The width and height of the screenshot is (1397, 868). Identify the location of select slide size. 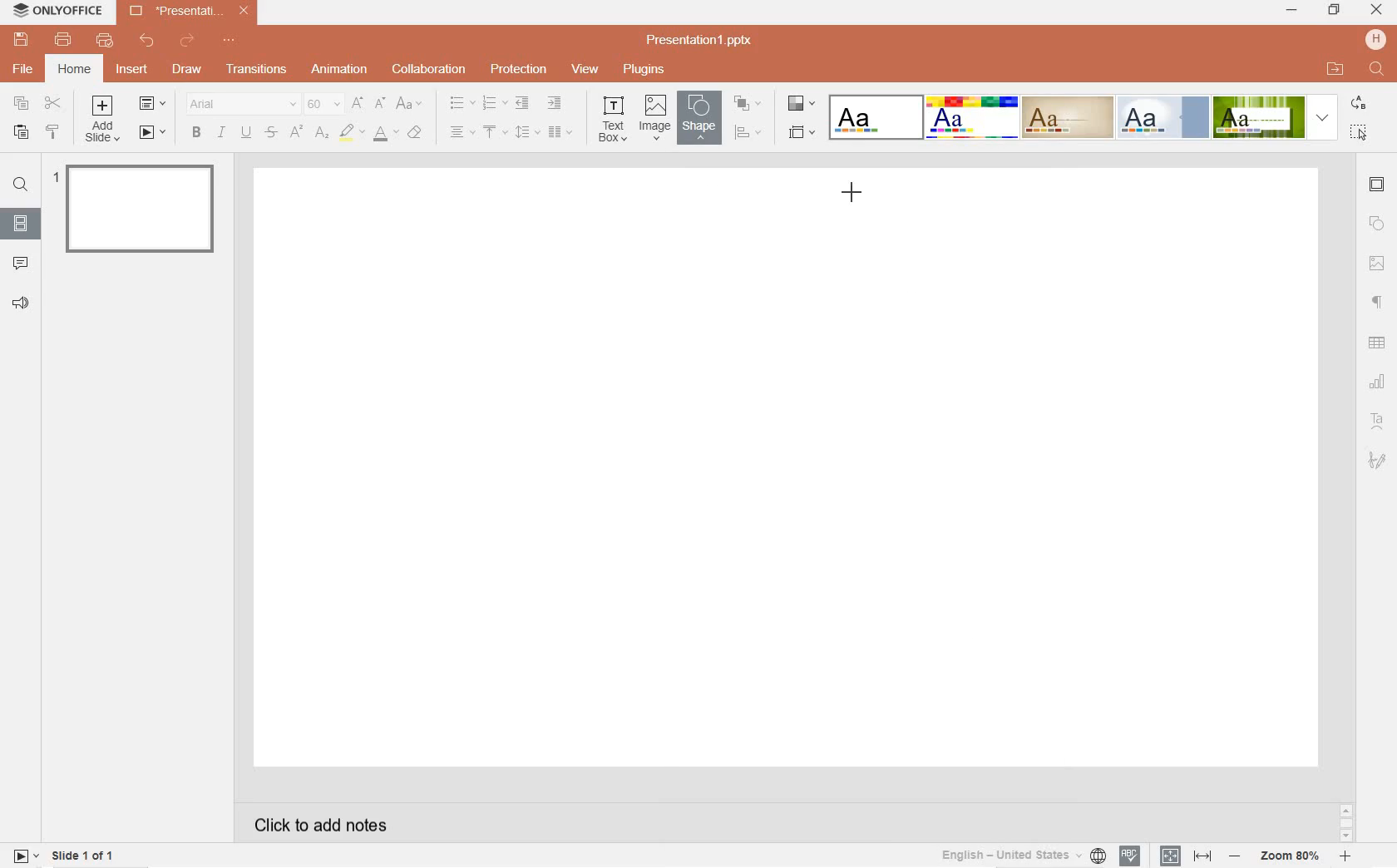
(800, 133).